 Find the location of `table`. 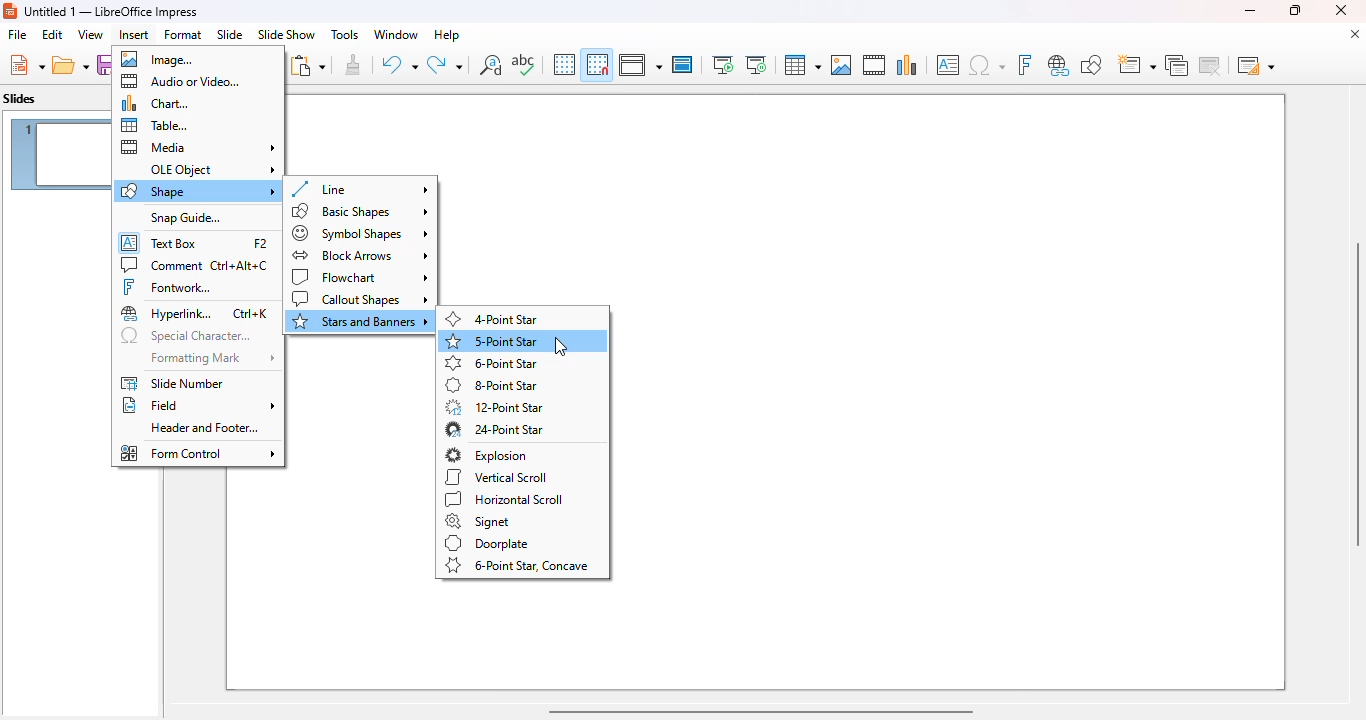

table is located at coordinates (155, 125).